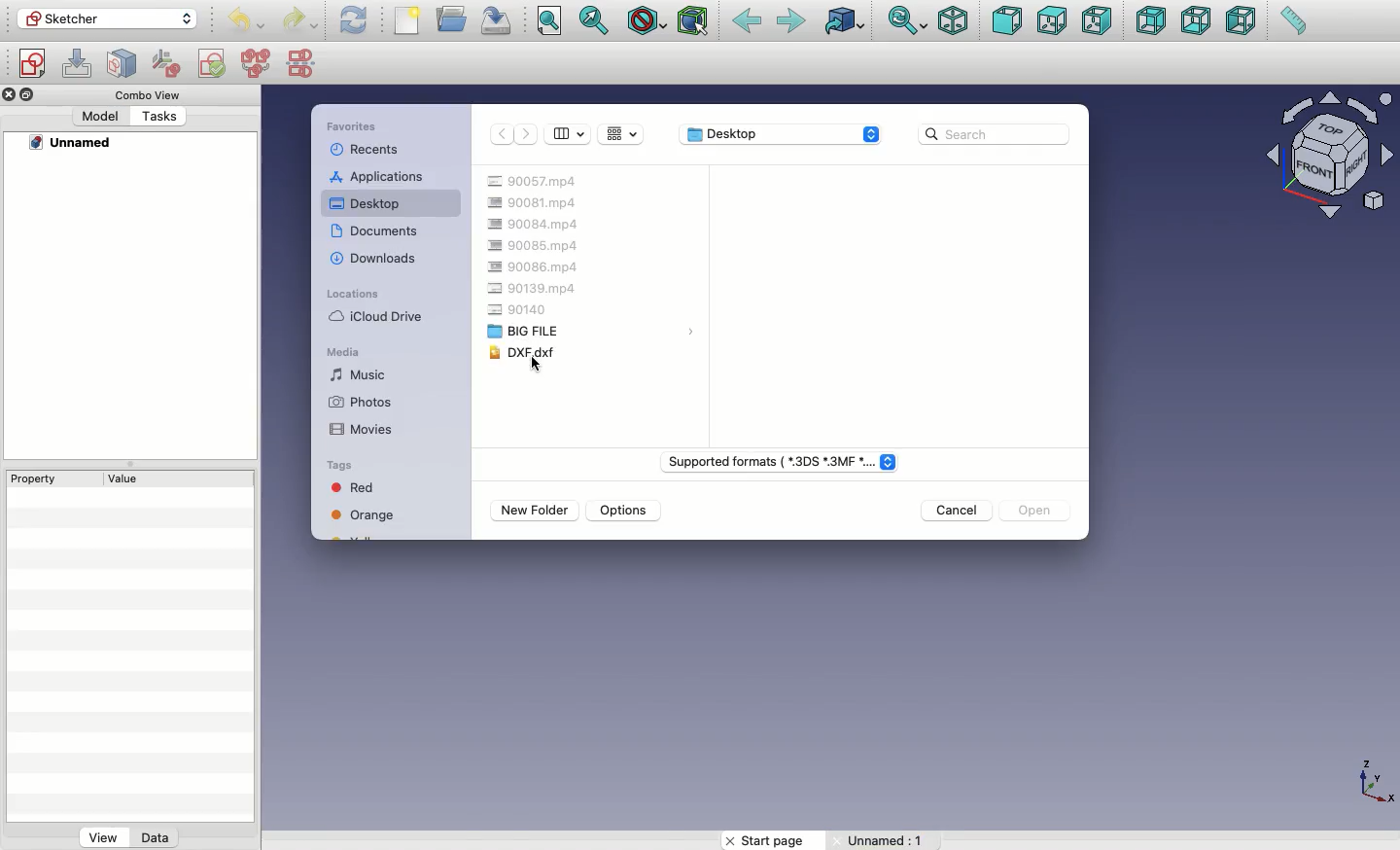  I want to click on Isometric, so click(952, 21).